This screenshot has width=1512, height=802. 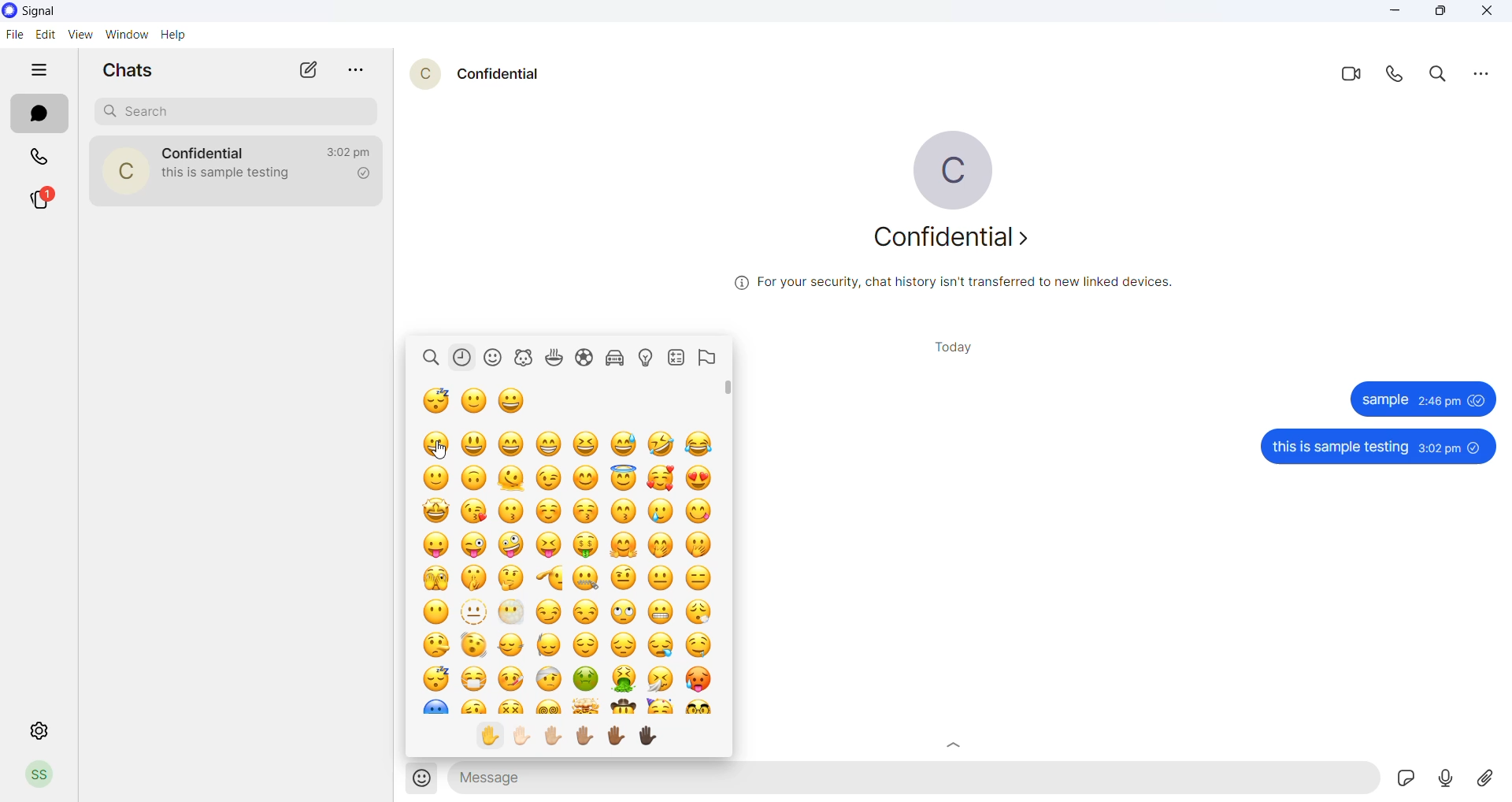 What do you see at coordinates (726, 566) in the screenshot?
I see `scrollbar` at bounding box center [726, 566].